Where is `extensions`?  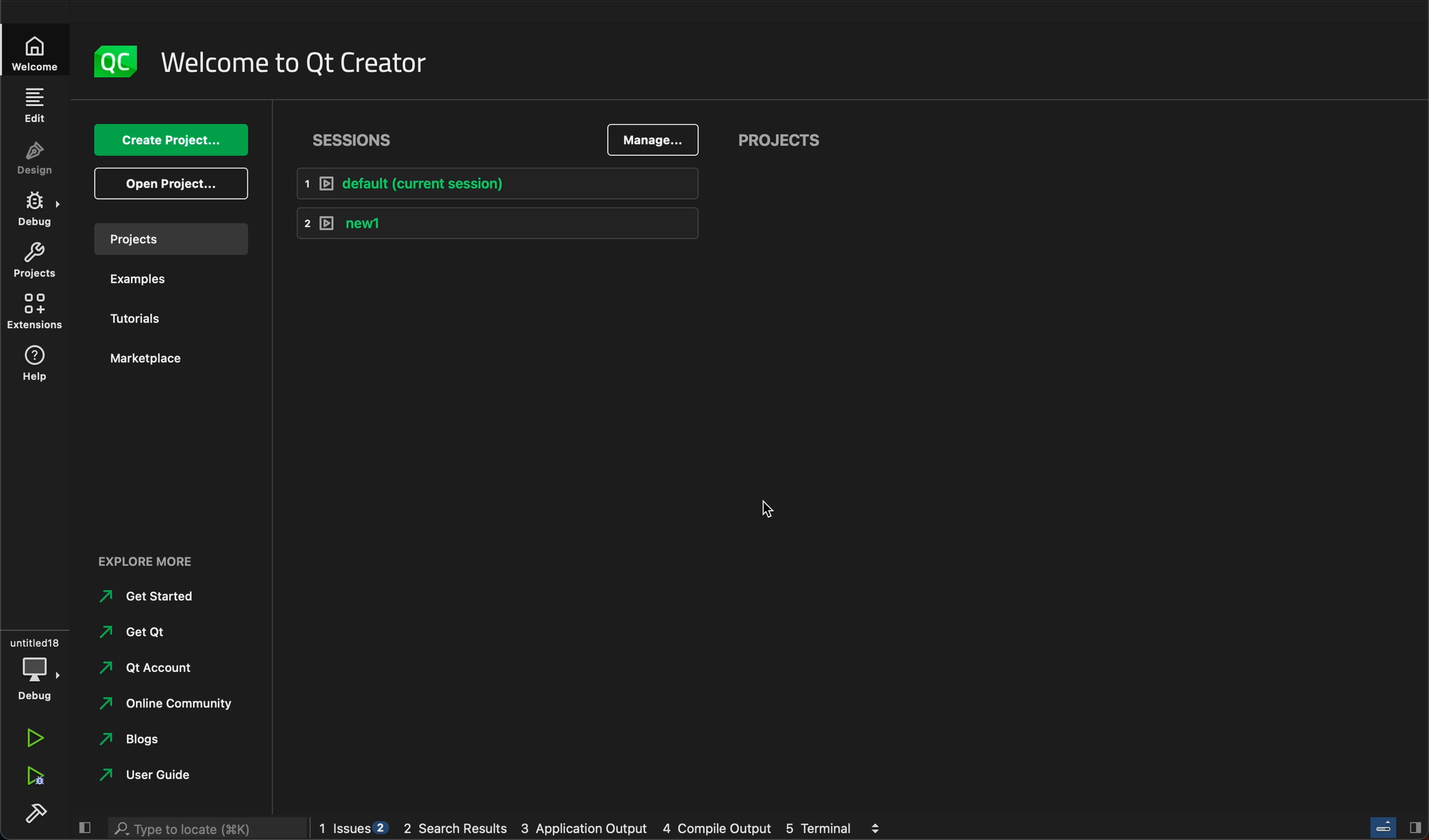 extensions is located at coordinates (36, 312).